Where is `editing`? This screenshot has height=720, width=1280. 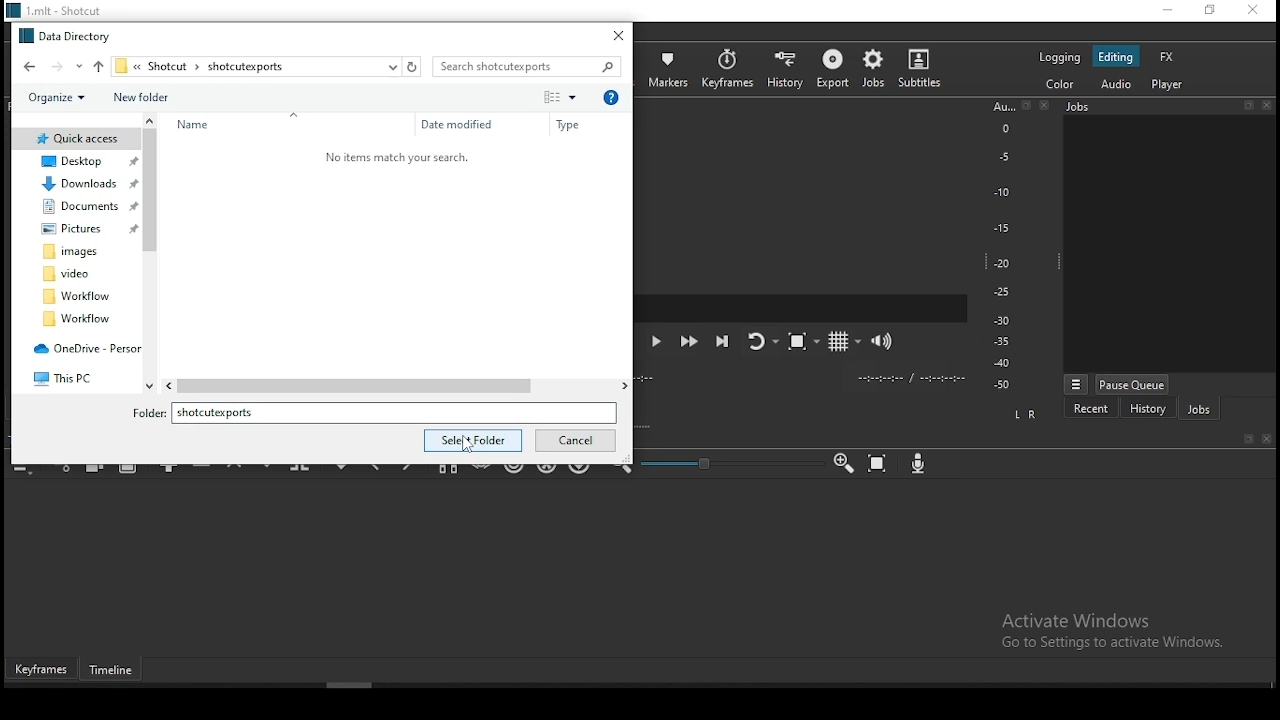
editing is located at coordinates (1119, 57).